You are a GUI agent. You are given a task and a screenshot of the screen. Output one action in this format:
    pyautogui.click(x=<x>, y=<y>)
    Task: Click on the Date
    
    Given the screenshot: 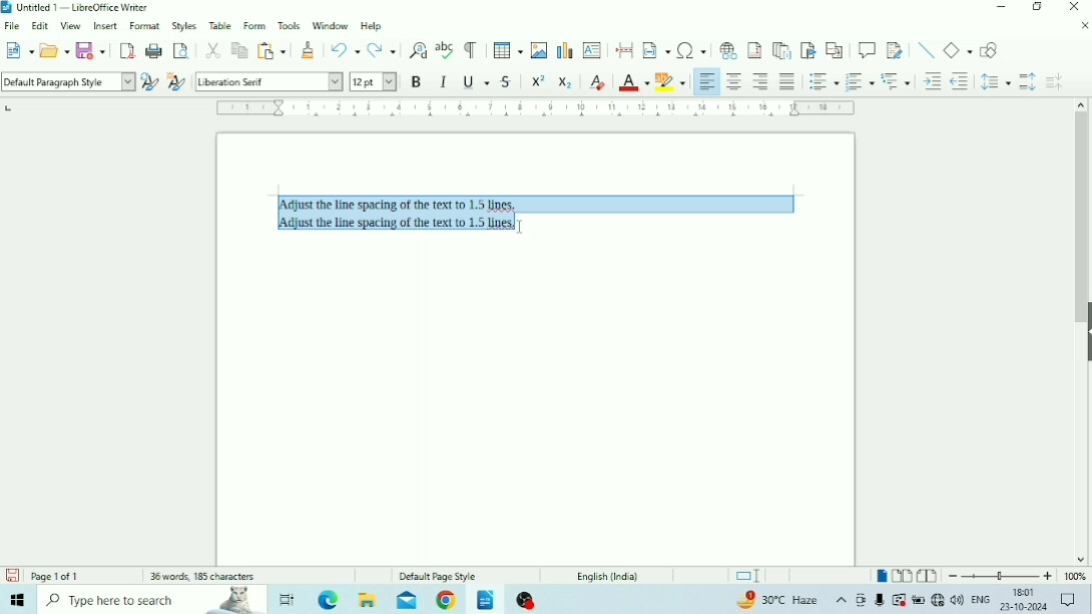 What is the action you would take?
    pyautogui.click(x=1024, y=606)
    